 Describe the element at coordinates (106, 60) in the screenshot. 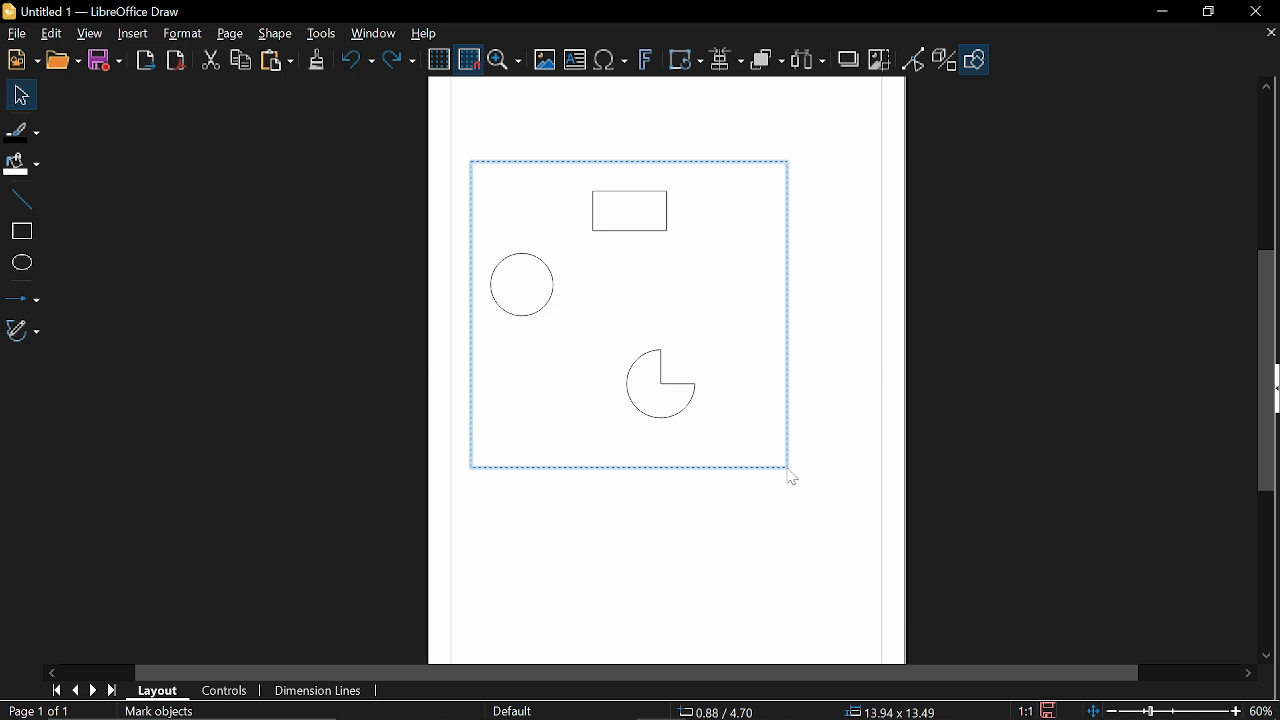

I see `Save` at that location.